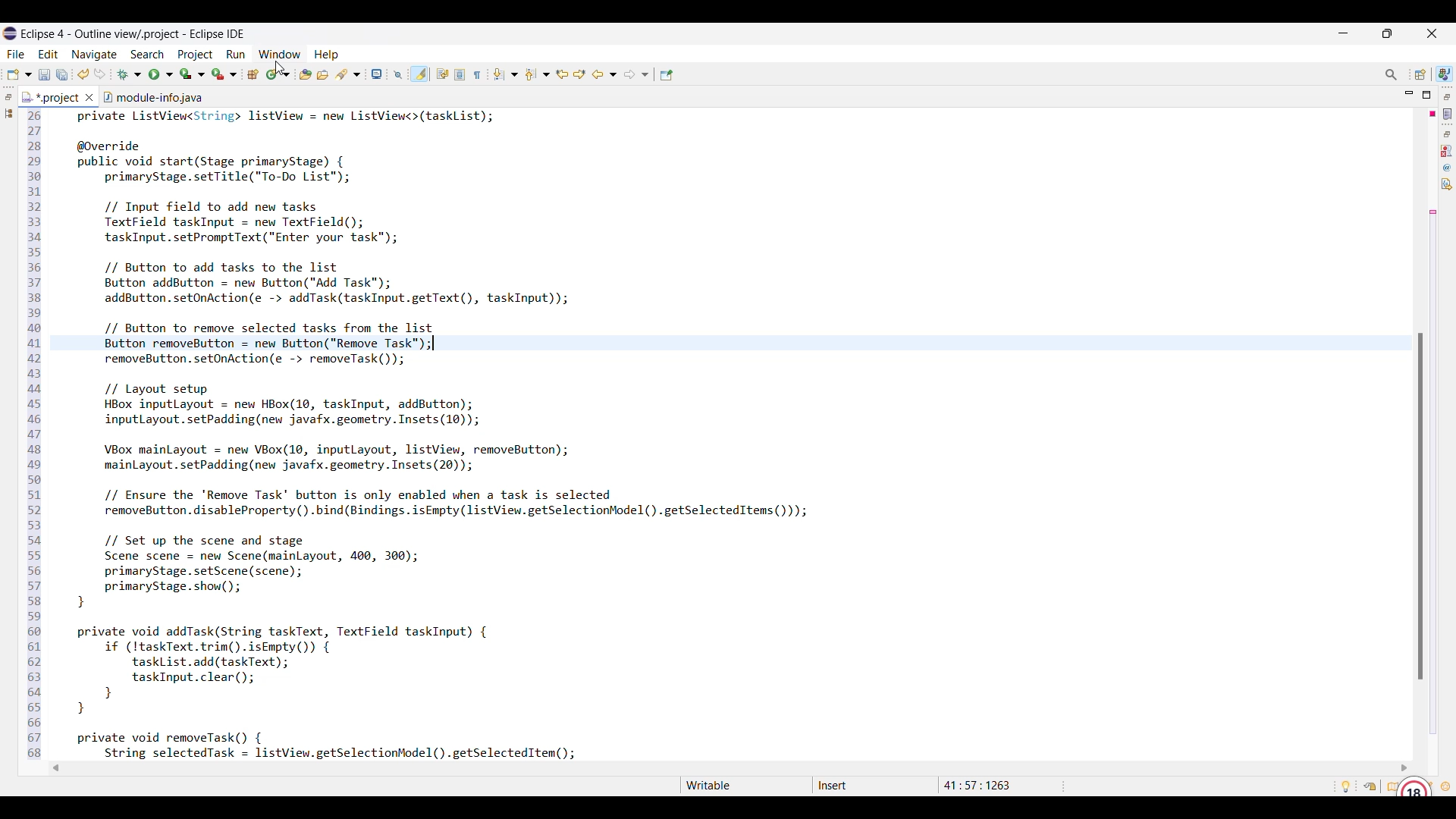 The height and width of the screenshot is (819, 1456). I want to click on Open task, so click(323, 74).